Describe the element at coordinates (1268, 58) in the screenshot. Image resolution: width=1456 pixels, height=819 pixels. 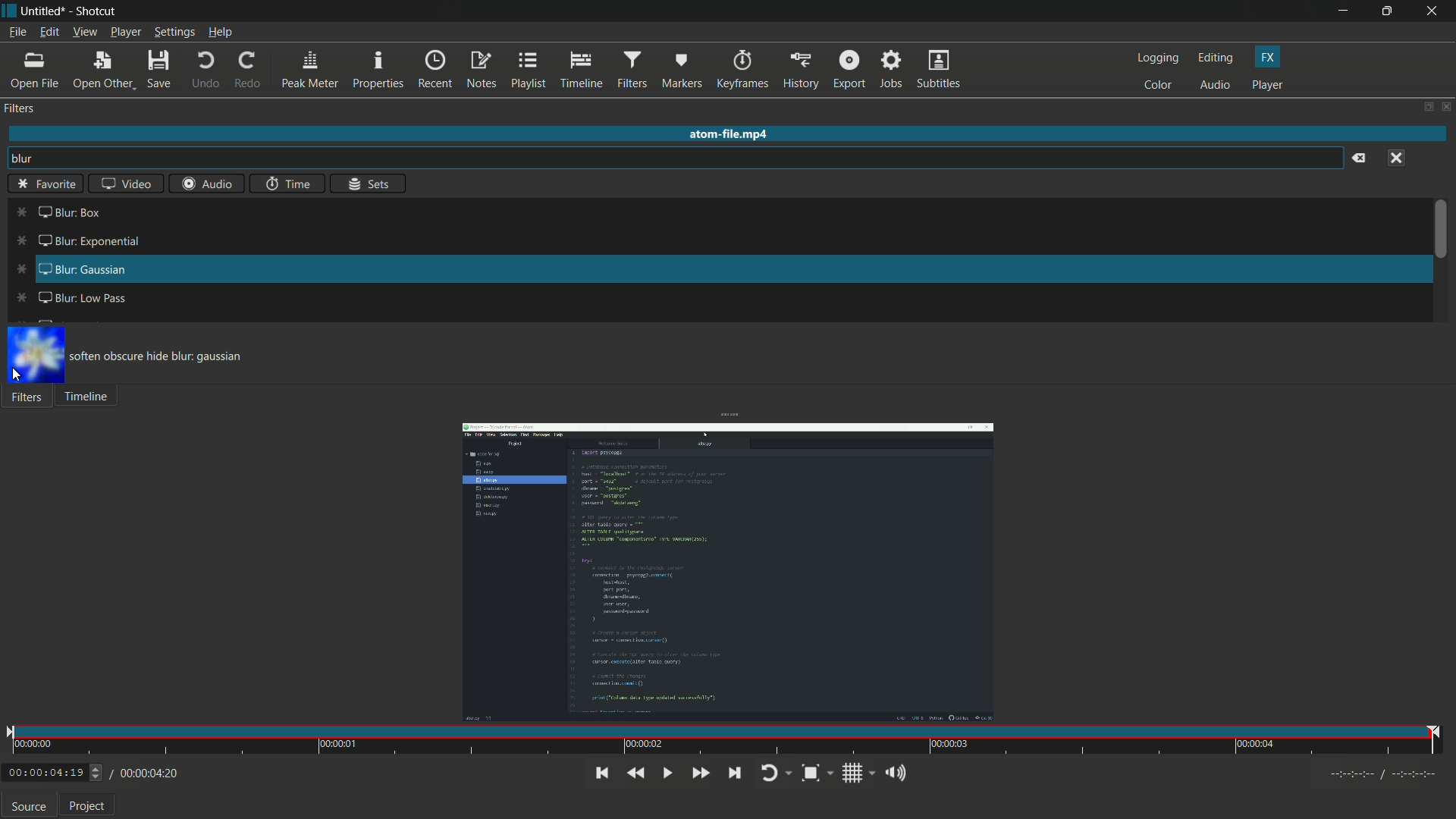
I see `fx` at that location.